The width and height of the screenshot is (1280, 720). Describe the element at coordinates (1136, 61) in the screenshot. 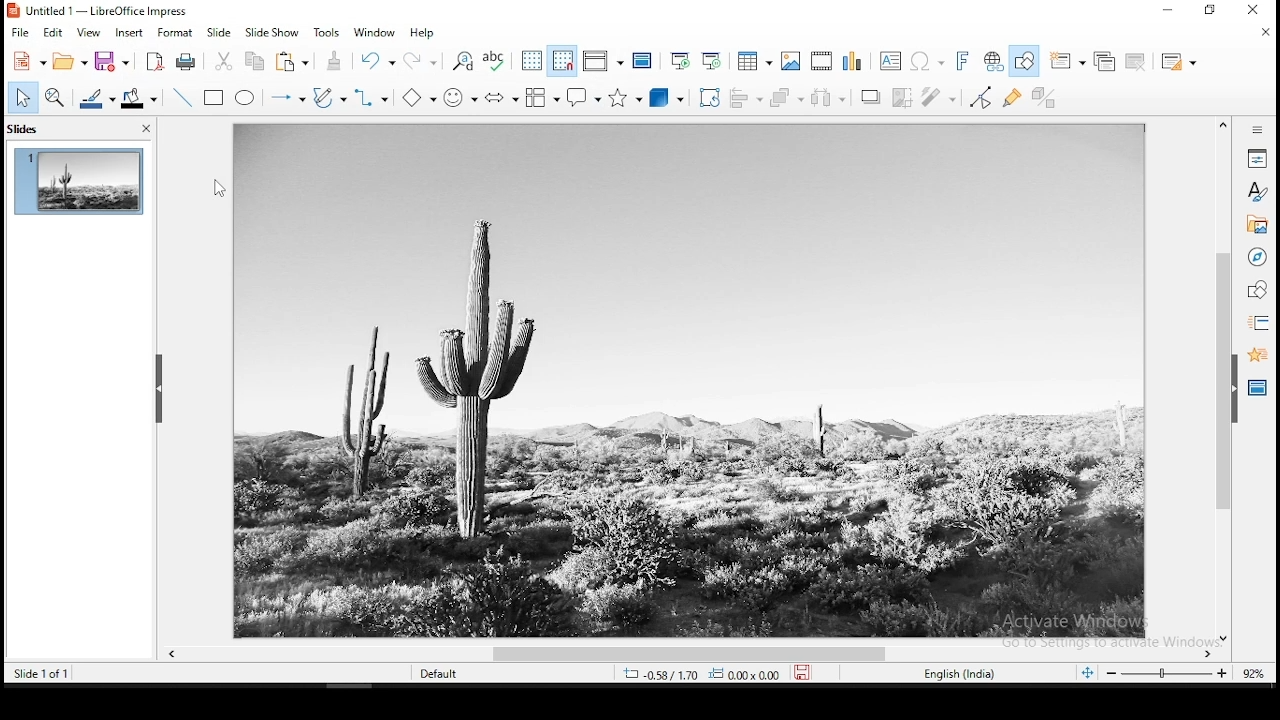

I see `delete slide` at that location.